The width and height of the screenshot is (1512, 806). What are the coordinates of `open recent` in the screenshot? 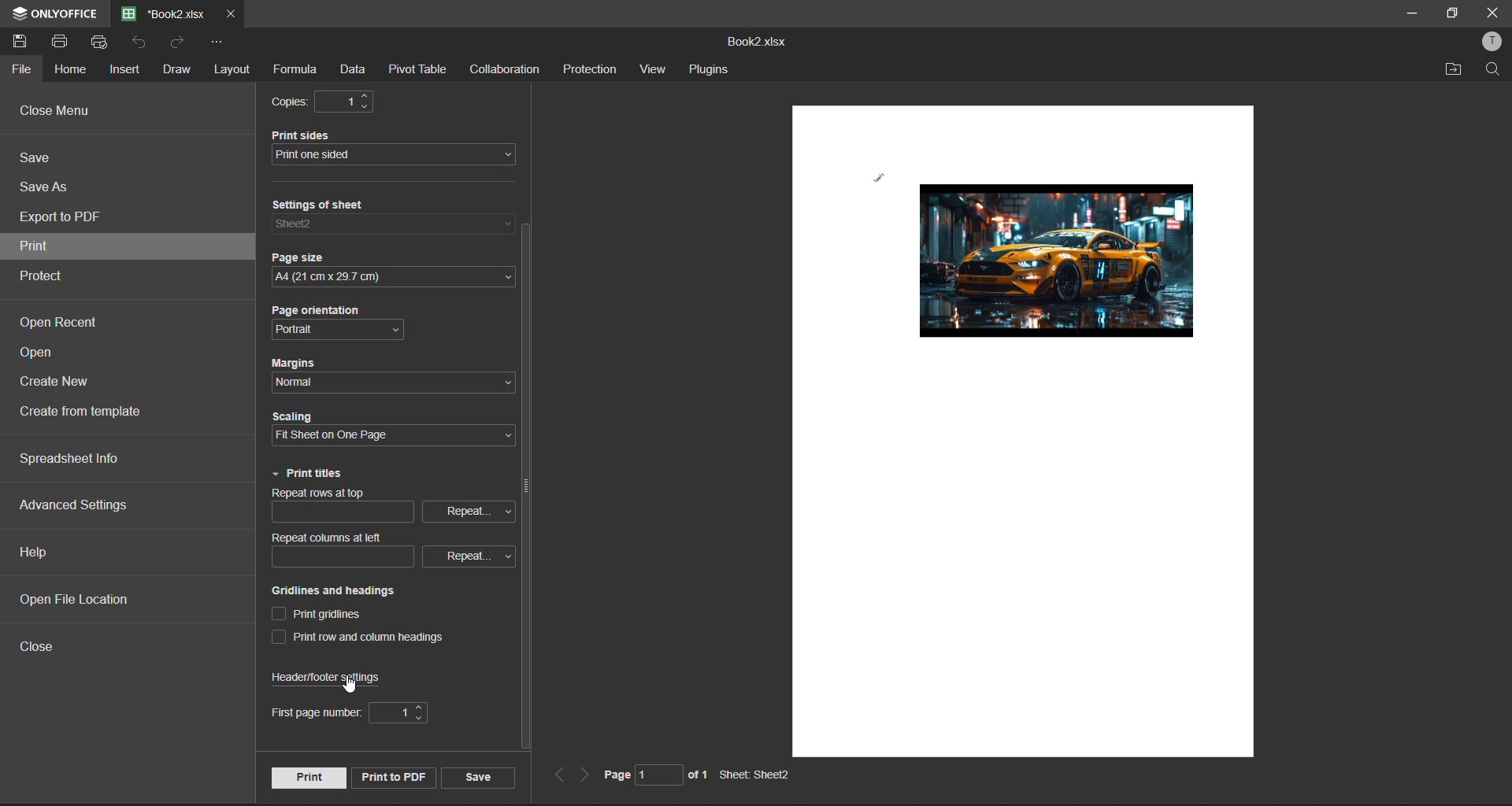 It's located at (65, 324).